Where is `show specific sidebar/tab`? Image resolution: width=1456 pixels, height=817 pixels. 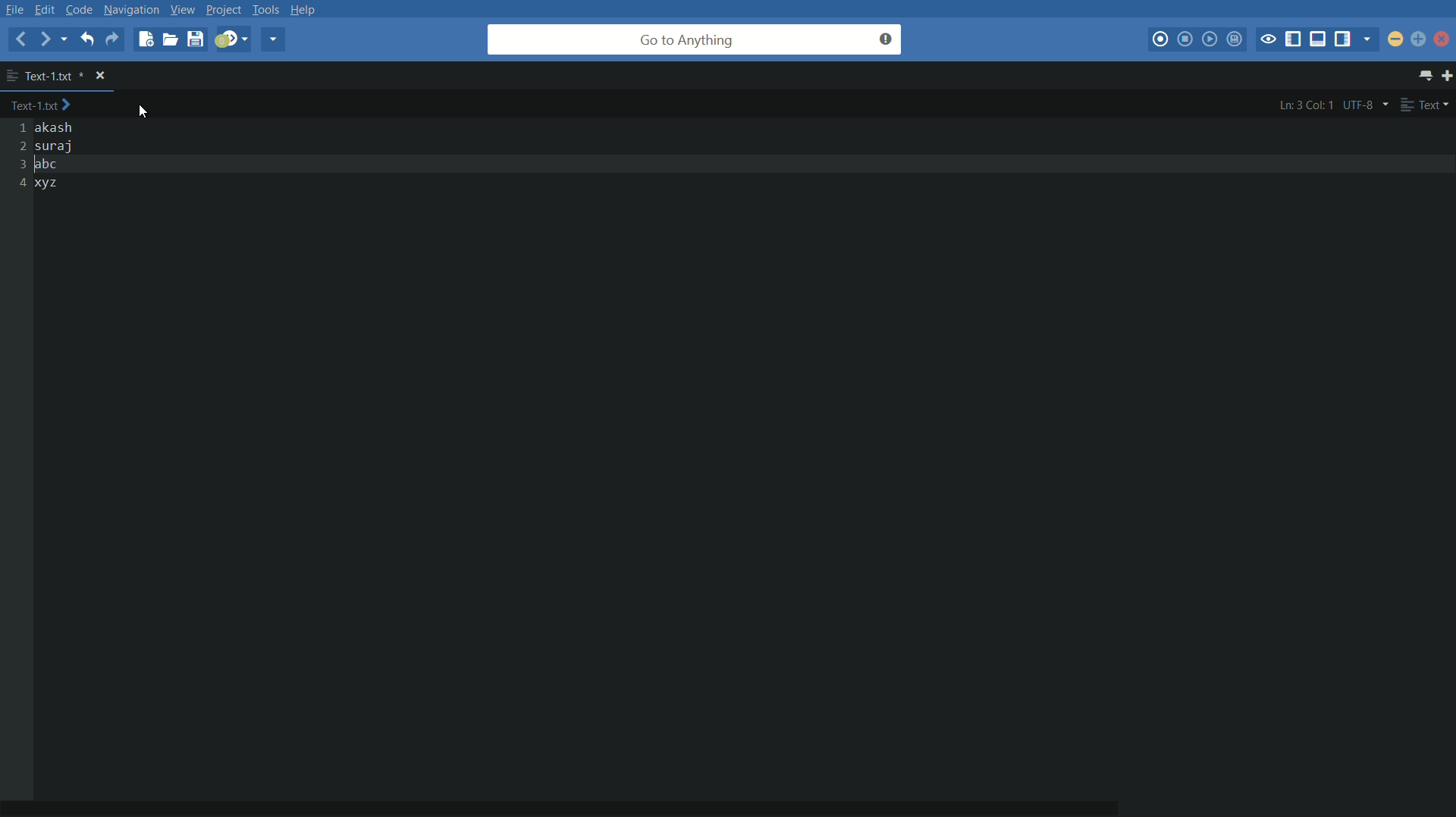 show specific sidebar/tab is located at coordinates (1370, 39).